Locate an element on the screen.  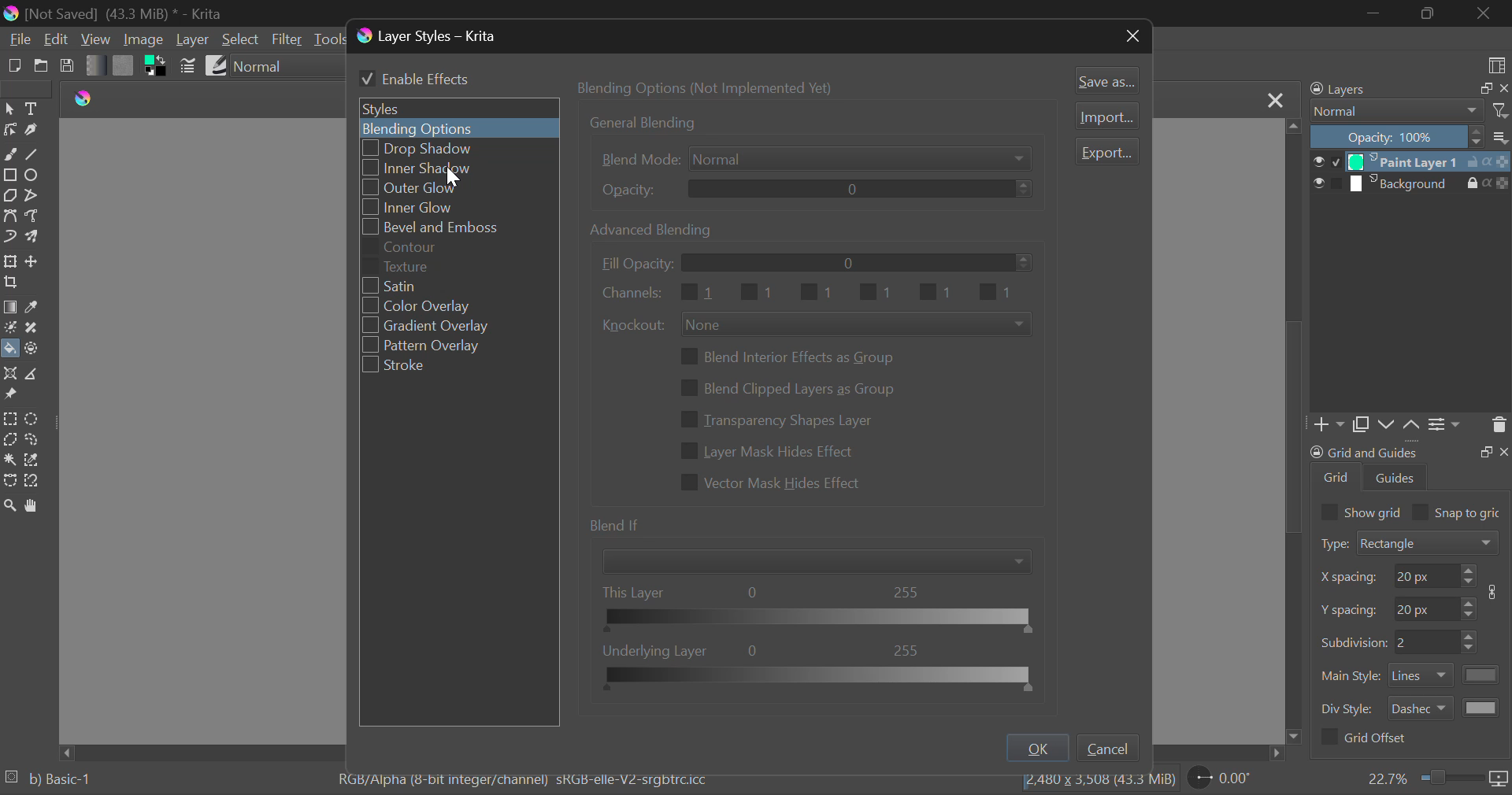
Enclose and Fill is located at coordinates (34, 349).